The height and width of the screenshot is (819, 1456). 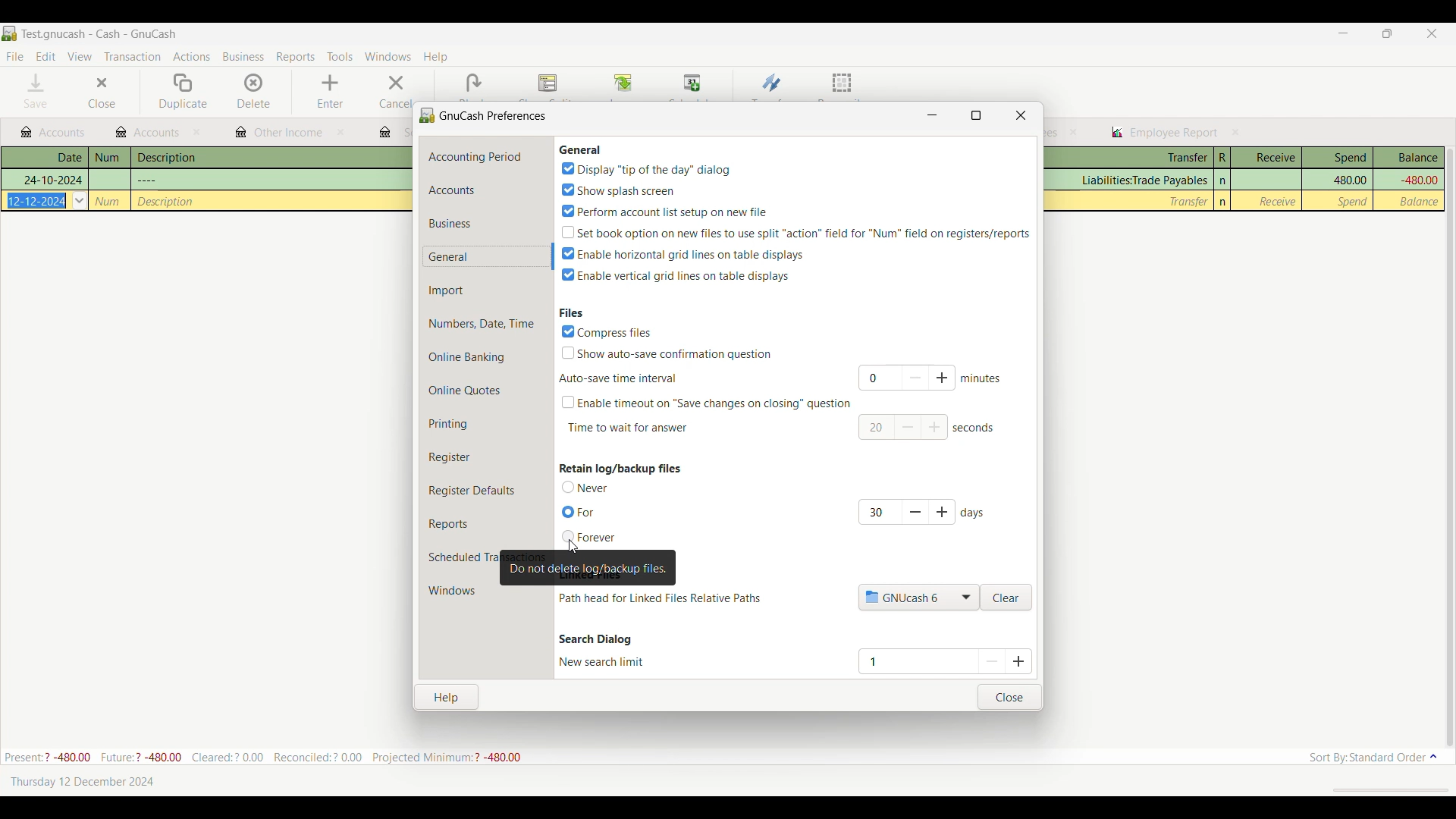 What do you see at coordinates (1164, 133) in the screenshot?
I see `Other budgets and reports` at bounding box center [1164, 133].